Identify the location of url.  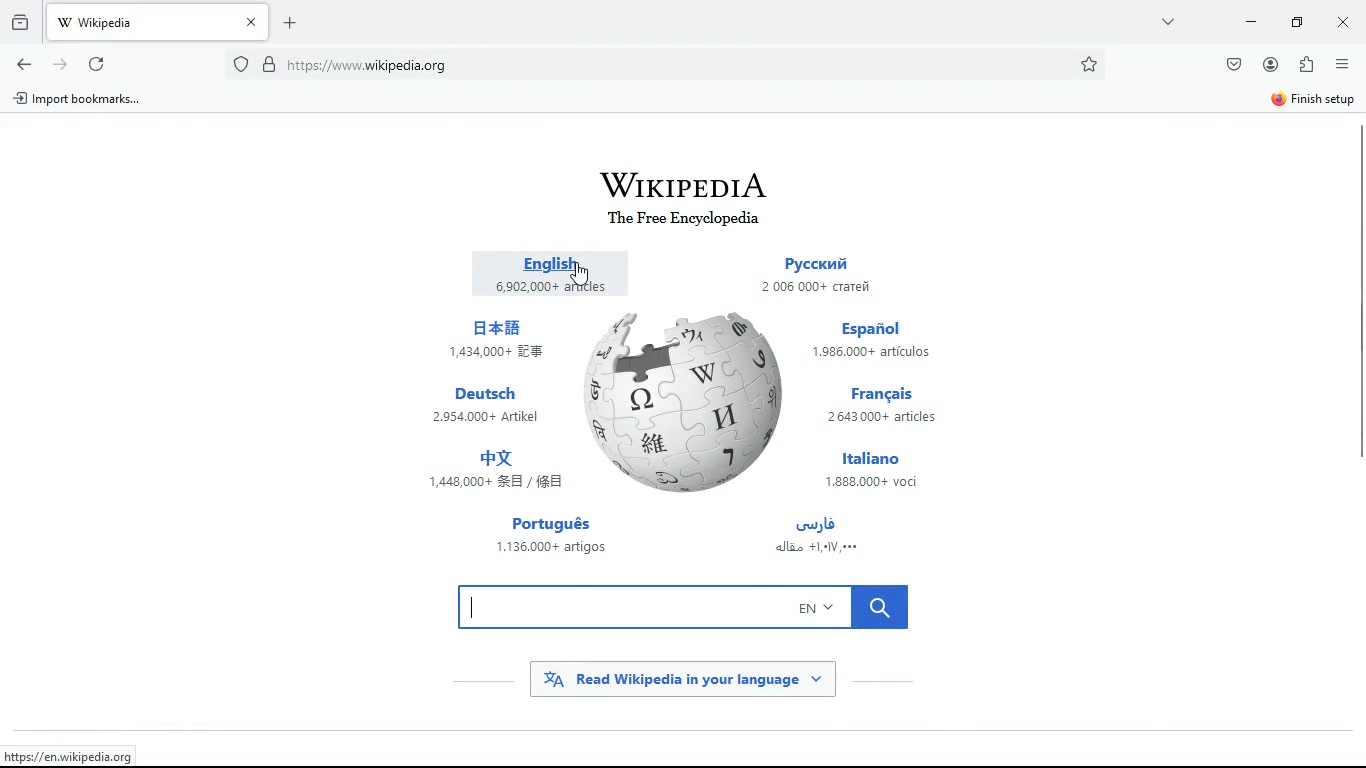
(394, 65).